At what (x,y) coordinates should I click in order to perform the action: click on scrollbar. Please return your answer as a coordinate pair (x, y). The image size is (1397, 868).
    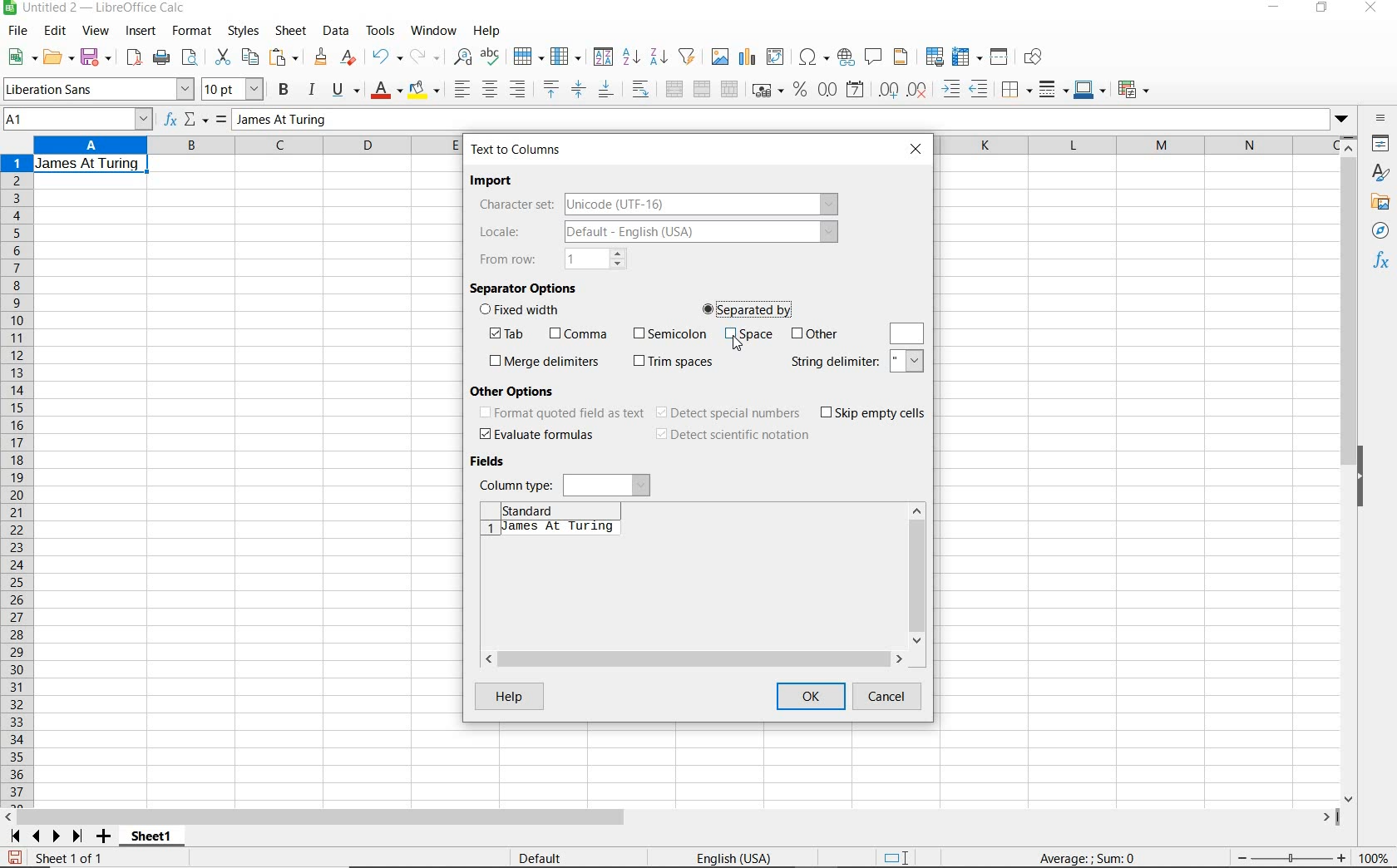
    Looking at the image, I should click on (699, 660).